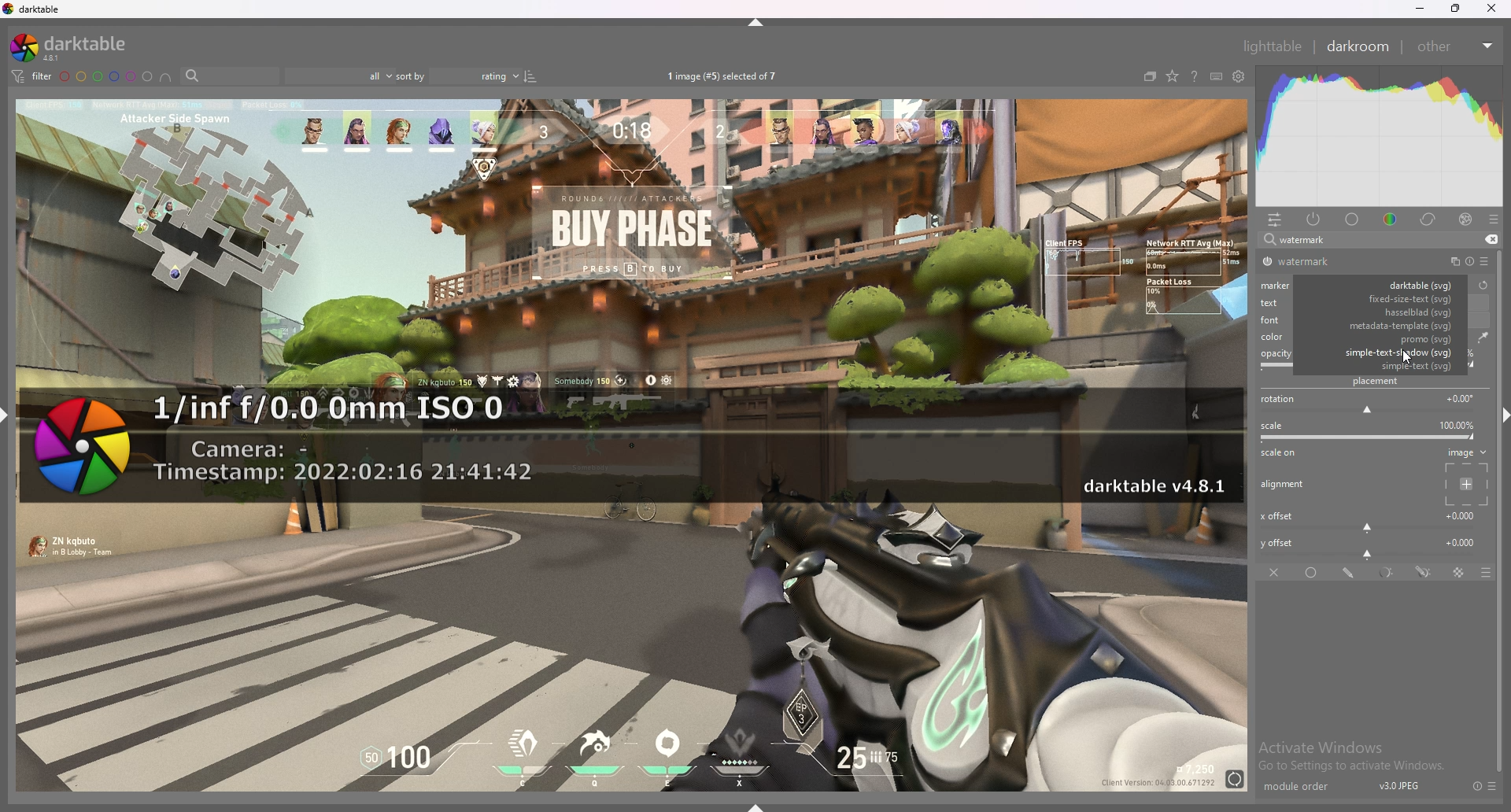 The image size is (1511, 812). Describe the element at coordinates (1460, 573) in the screenshot. I see `raster mask` at that location.